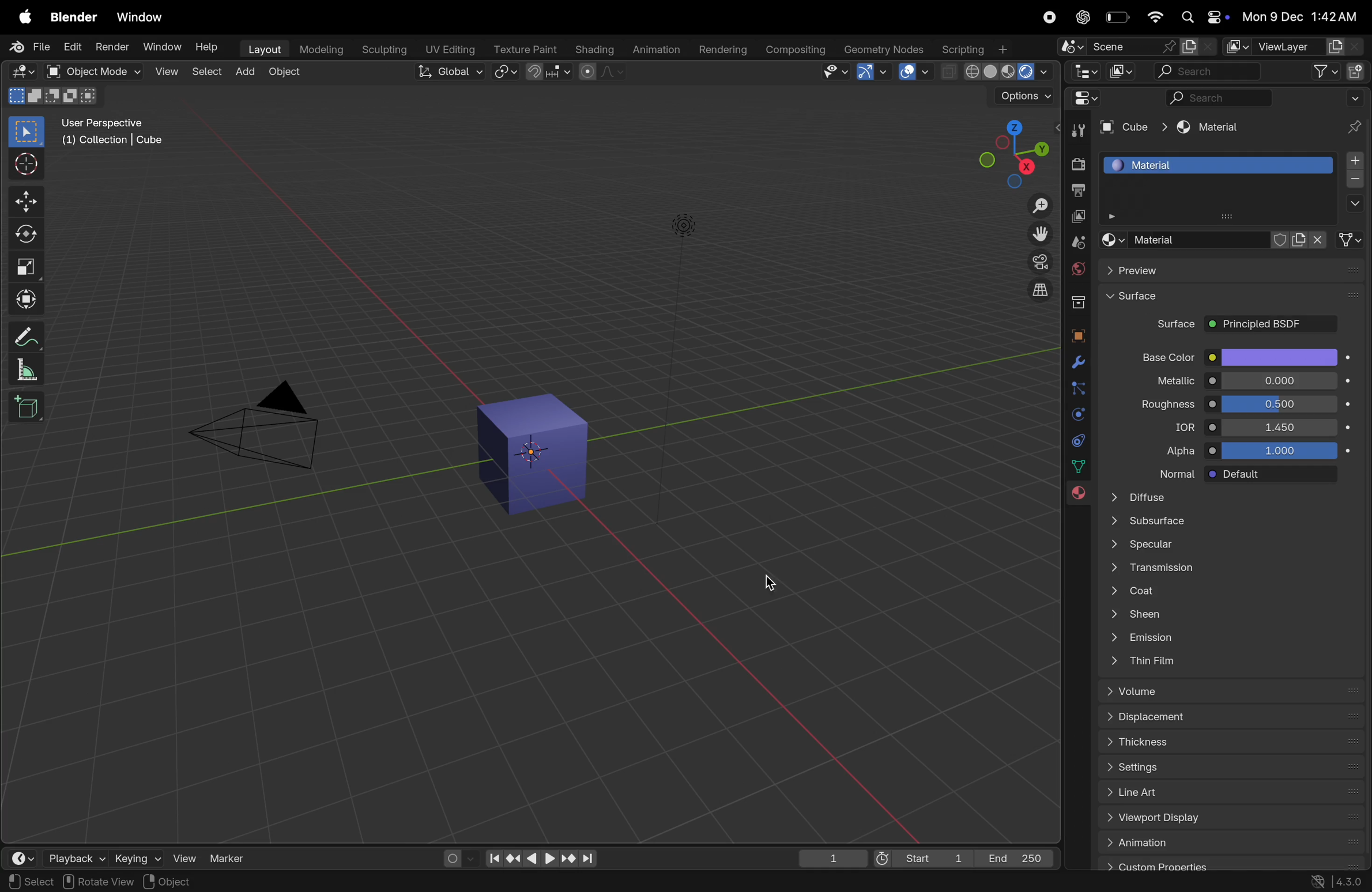  I want to click on Blender menu, so click(73, 17).